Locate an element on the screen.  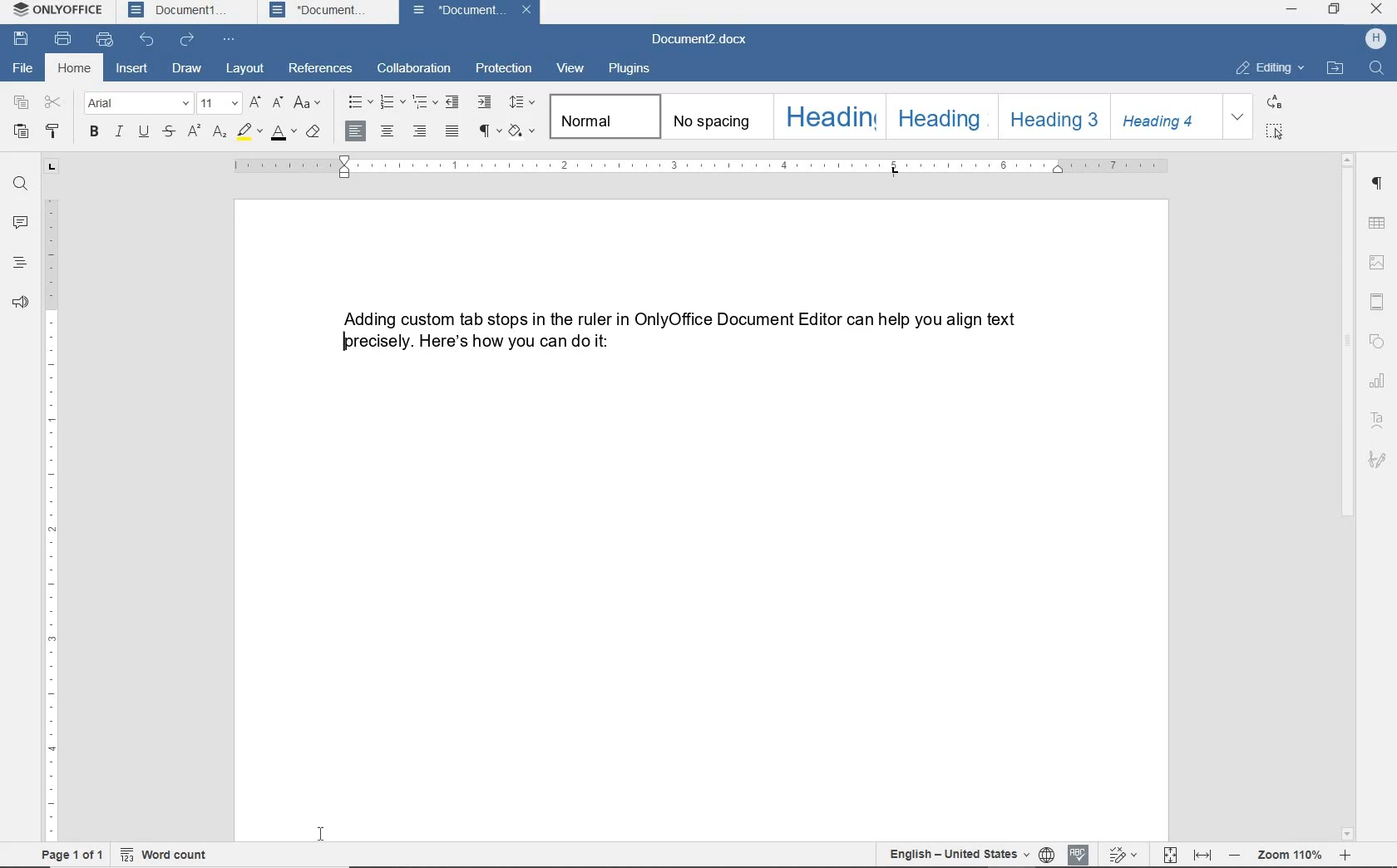
bullets is located at coordinates (358, 101).